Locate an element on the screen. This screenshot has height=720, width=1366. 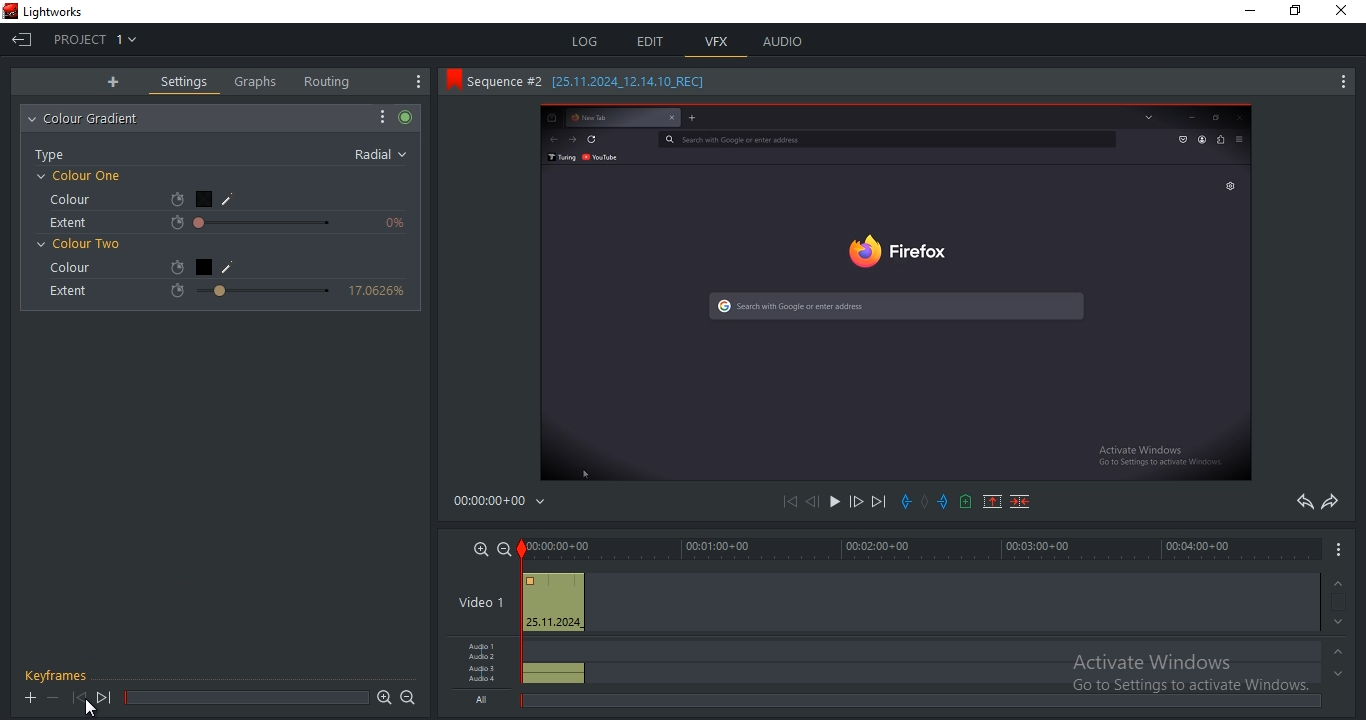
show settings menu is located at coordinates (383, 115).